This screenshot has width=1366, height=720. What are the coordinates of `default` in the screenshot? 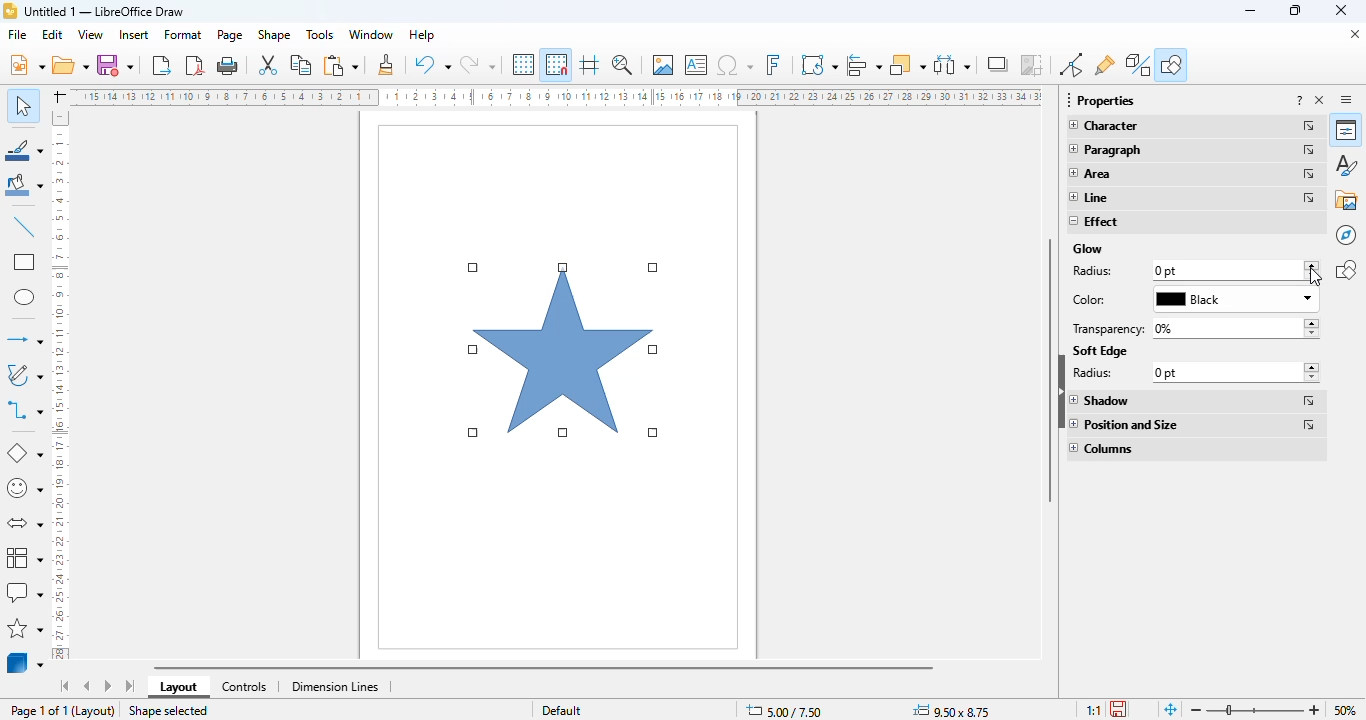 It's located at (562, 709).